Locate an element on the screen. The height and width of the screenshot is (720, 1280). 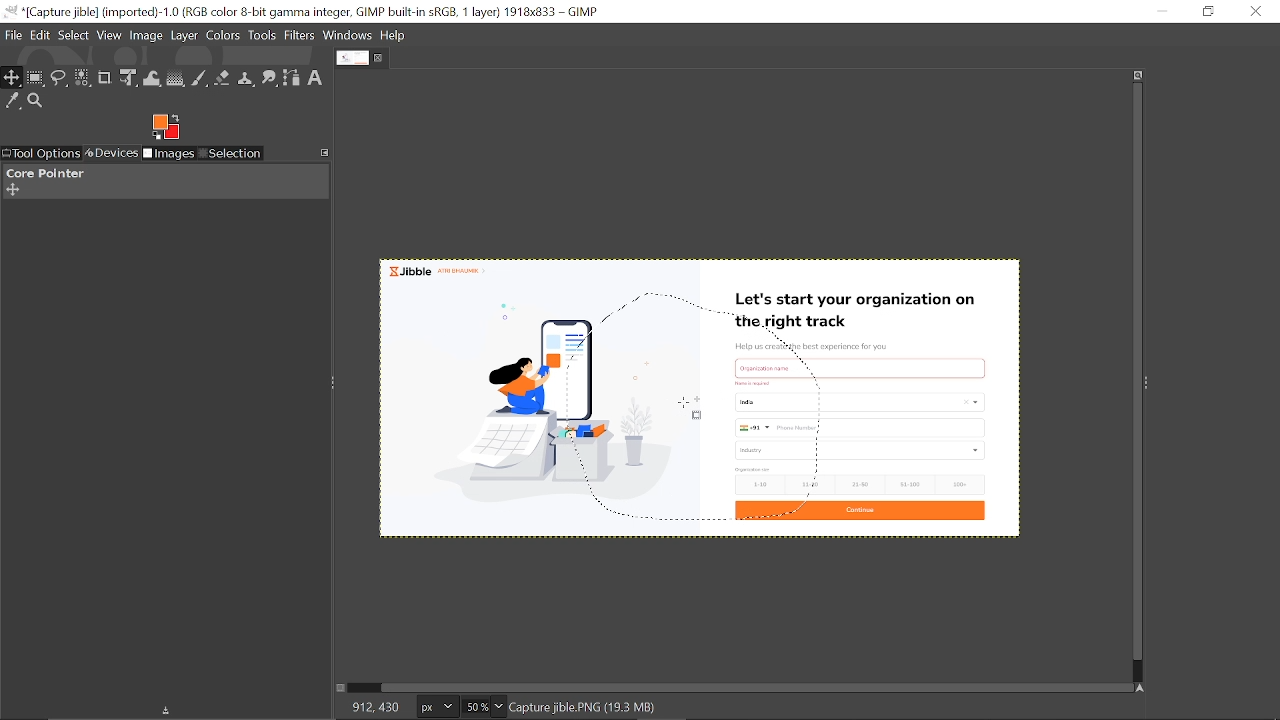
Text tool is located at coordinates (315, 78).